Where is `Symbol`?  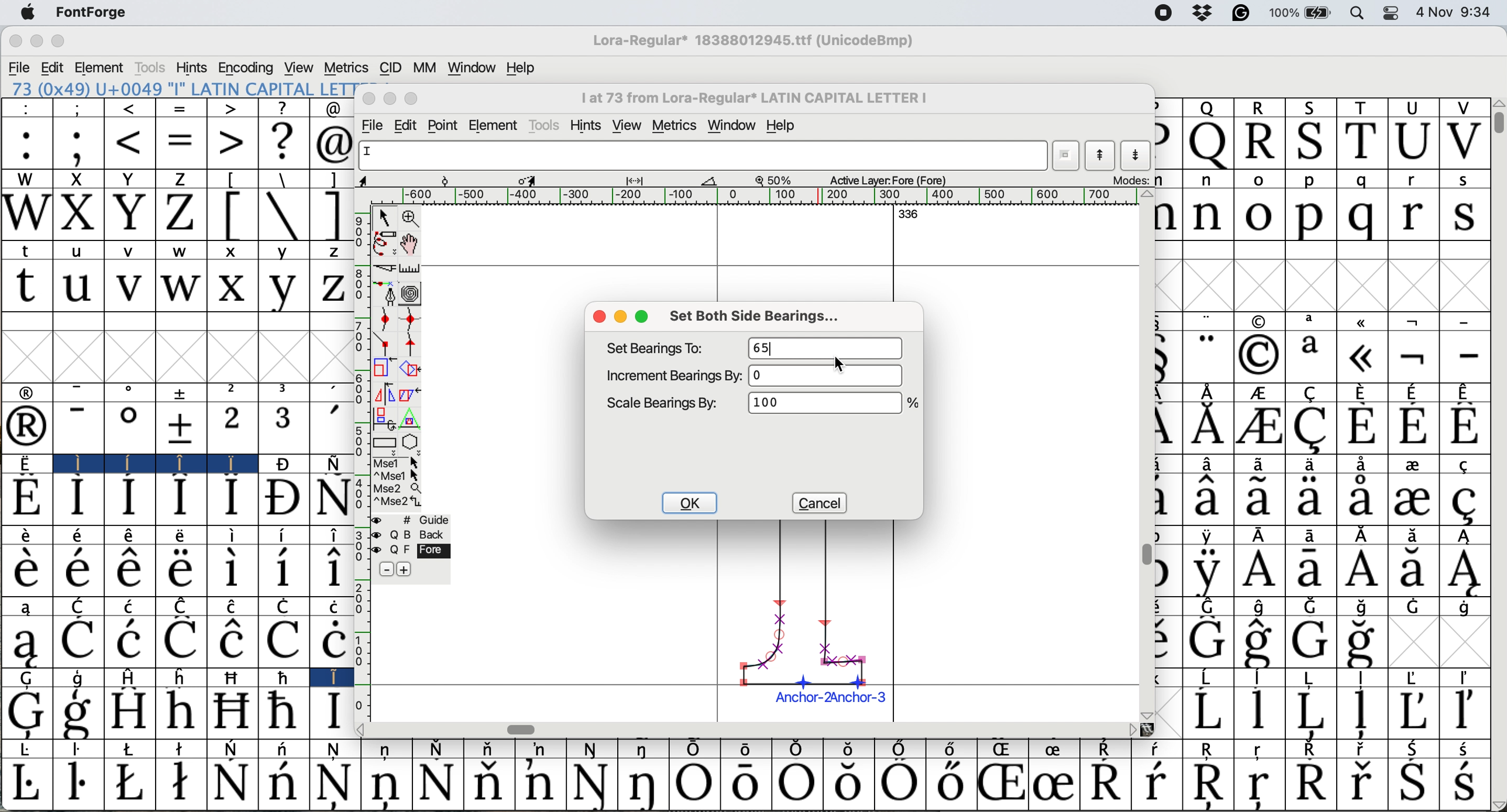 Symbol is located at coordinates (1309, 465).